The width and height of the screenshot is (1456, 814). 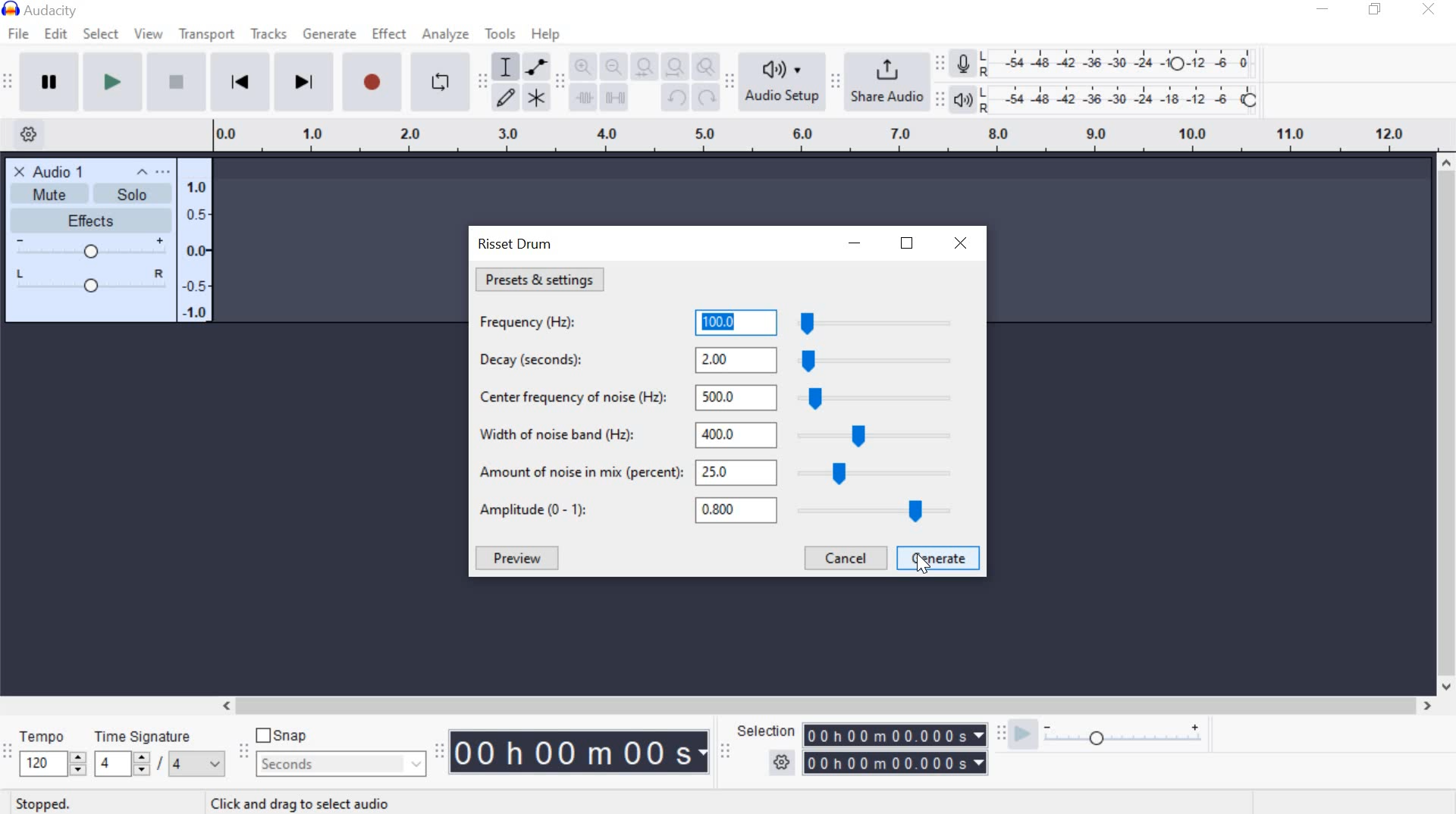 I want to click on selection option, so click(x=782, y=760).